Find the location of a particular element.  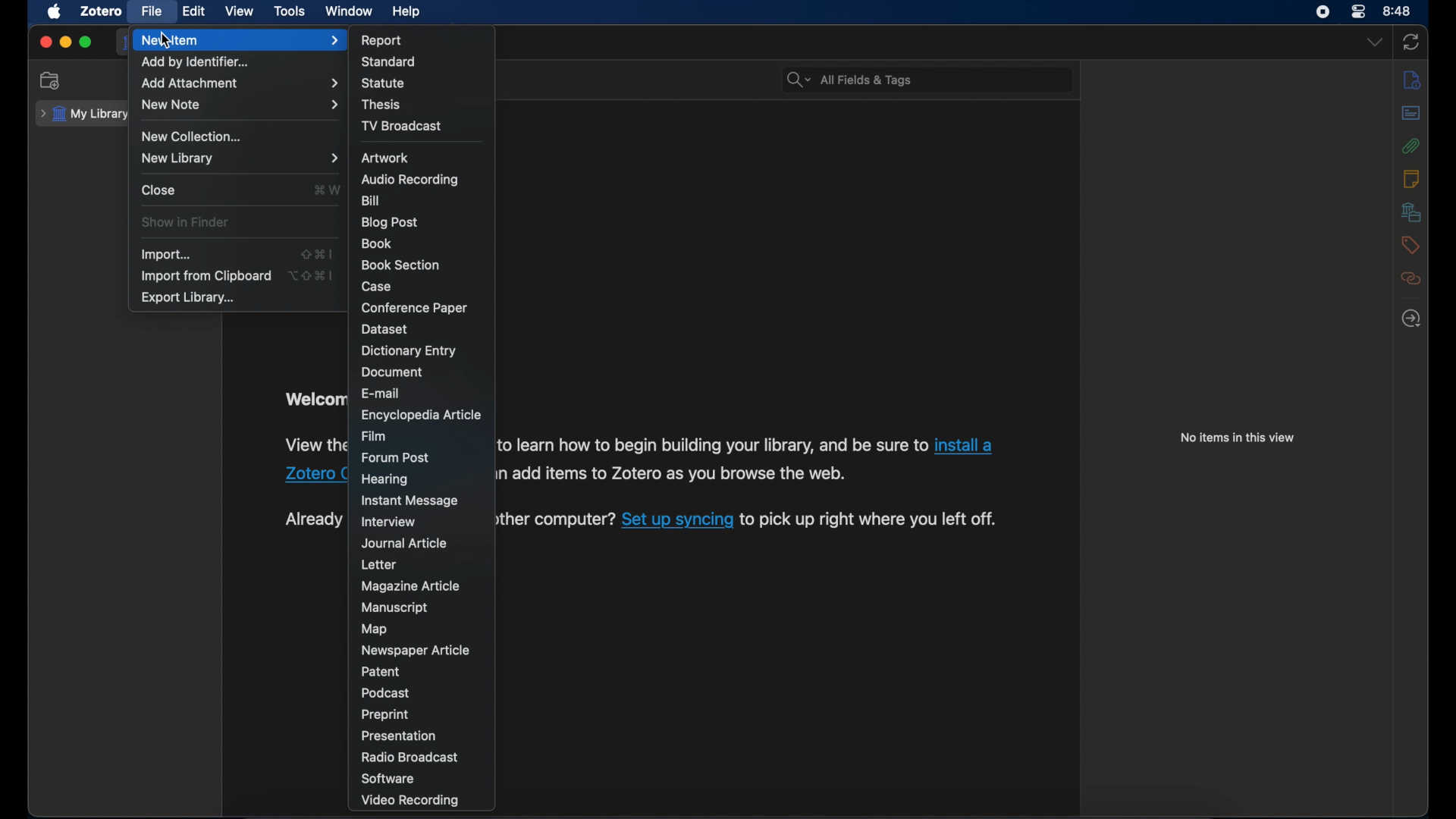

time is located at coordinates (1398, 11).